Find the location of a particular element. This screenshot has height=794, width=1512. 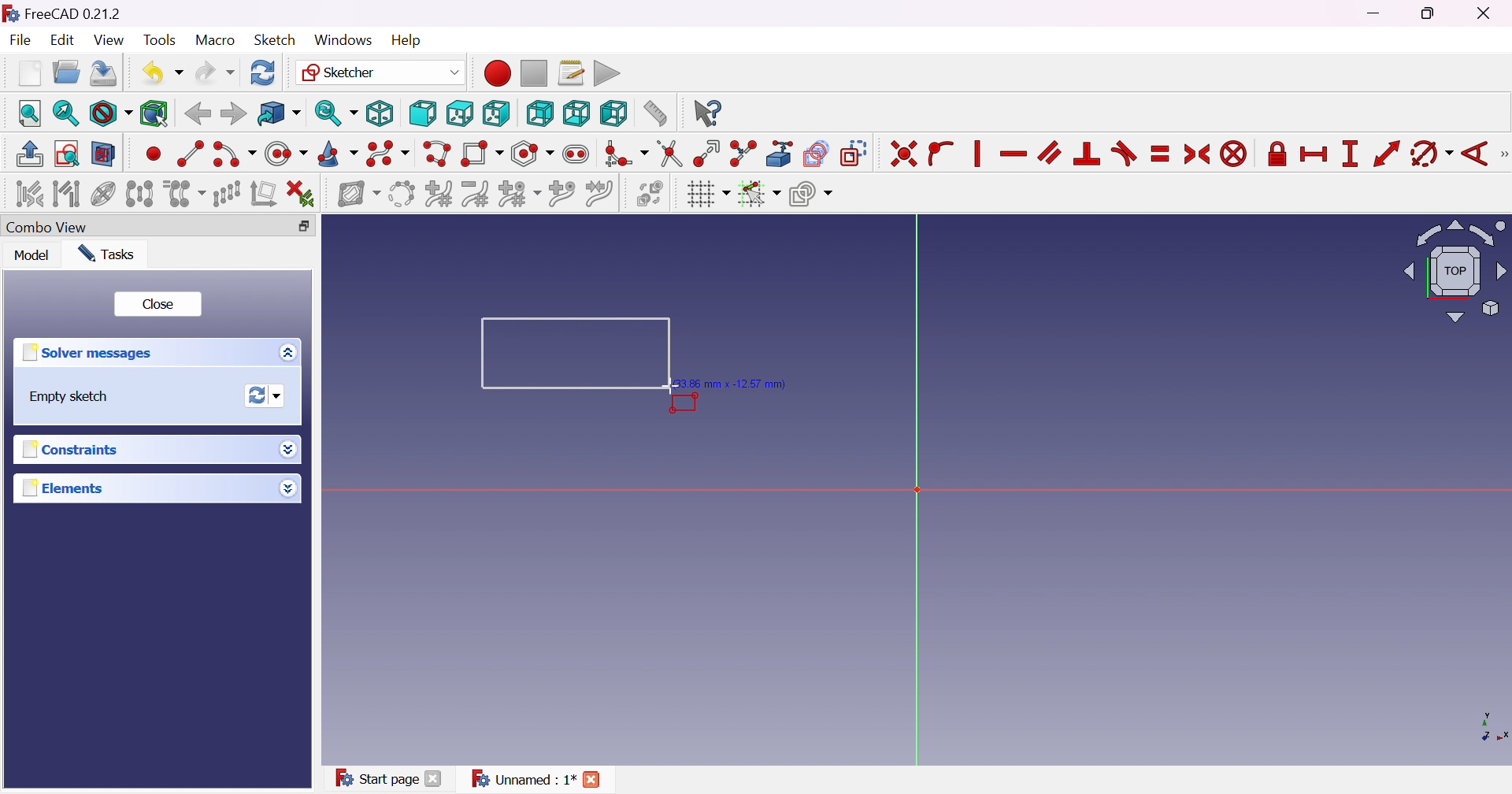

Decrease B-spline degree is located at coordinates (477, 194).